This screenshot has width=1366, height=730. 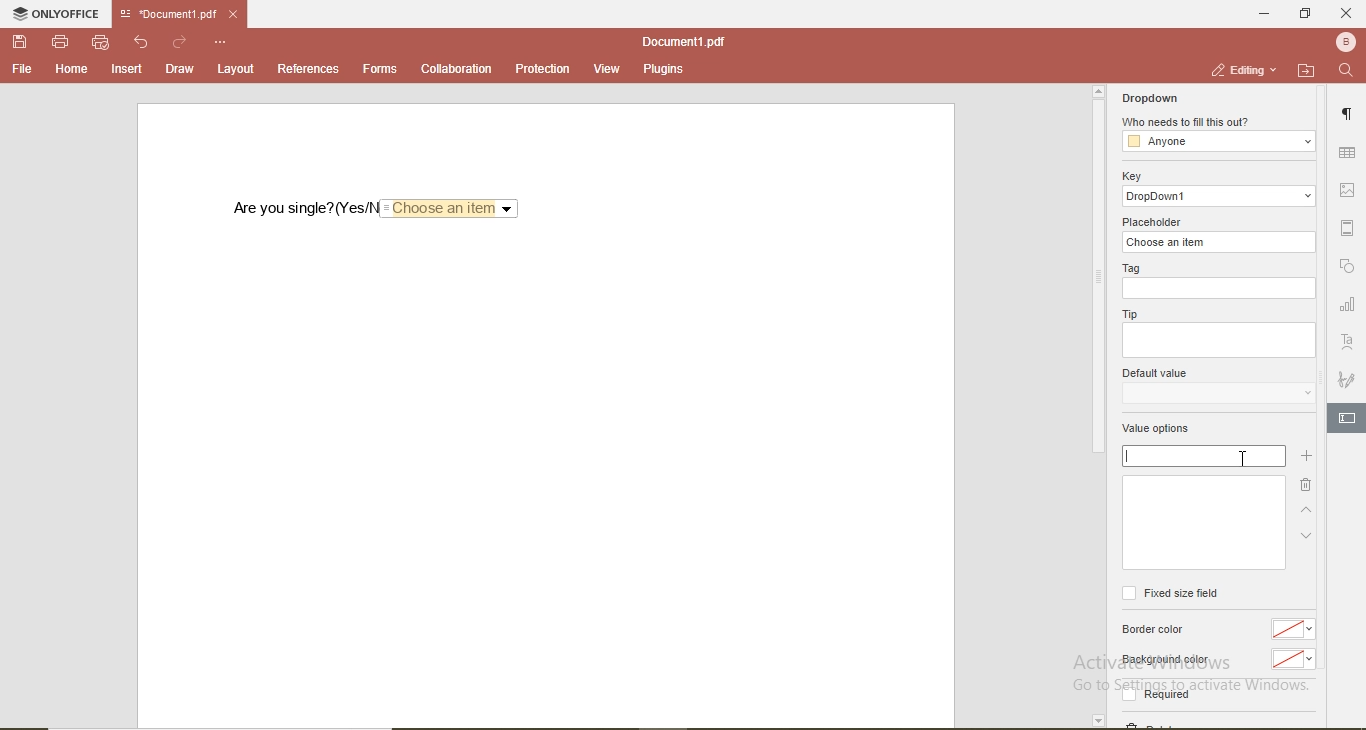 What do you see at coordinates (1097, 269) in the screenshot?
I see `scrollbar` at bounding box center [1097, 269].